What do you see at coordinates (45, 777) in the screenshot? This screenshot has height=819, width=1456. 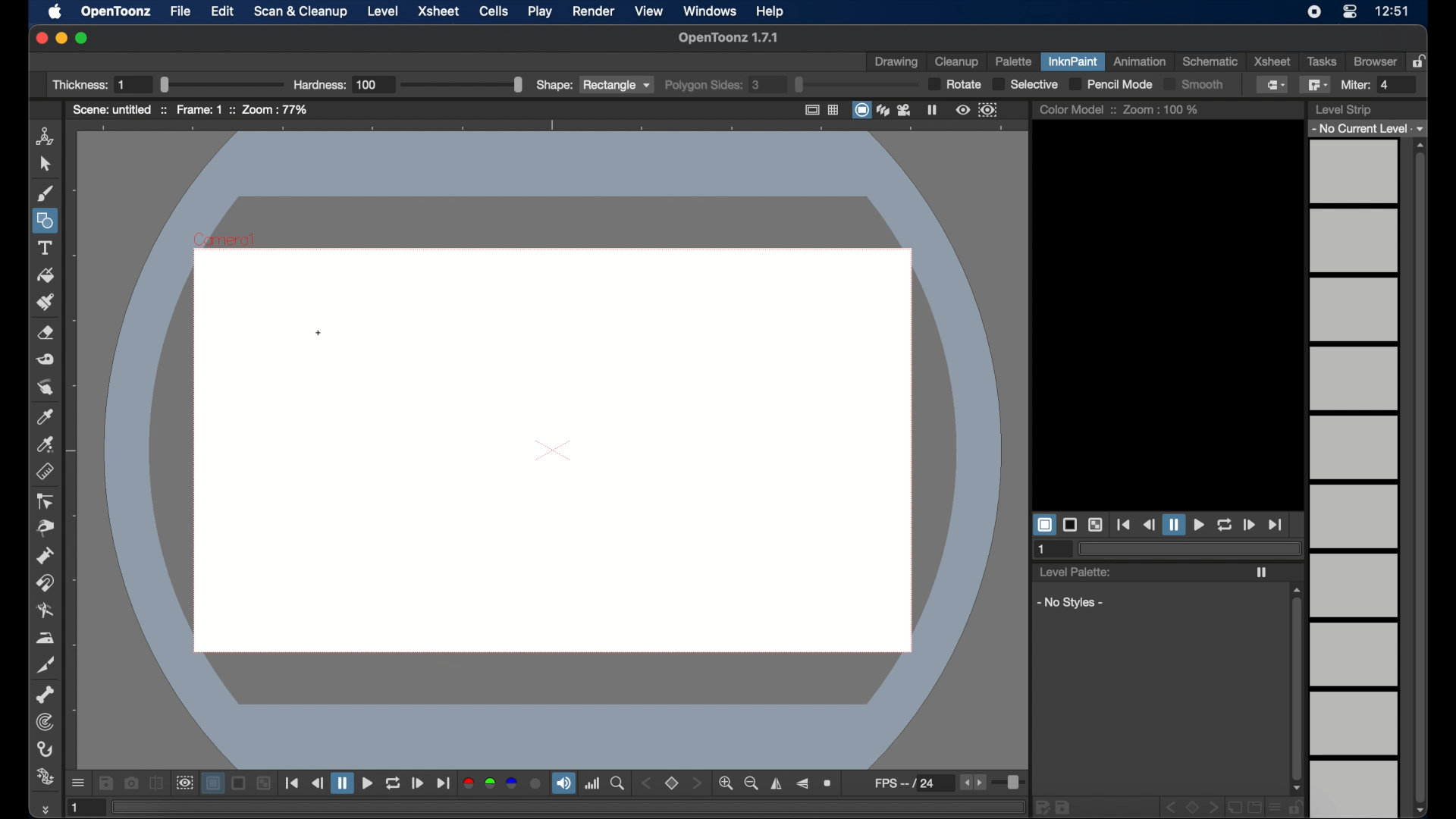 I see `plastic tool` at bounding box center [45, 777].